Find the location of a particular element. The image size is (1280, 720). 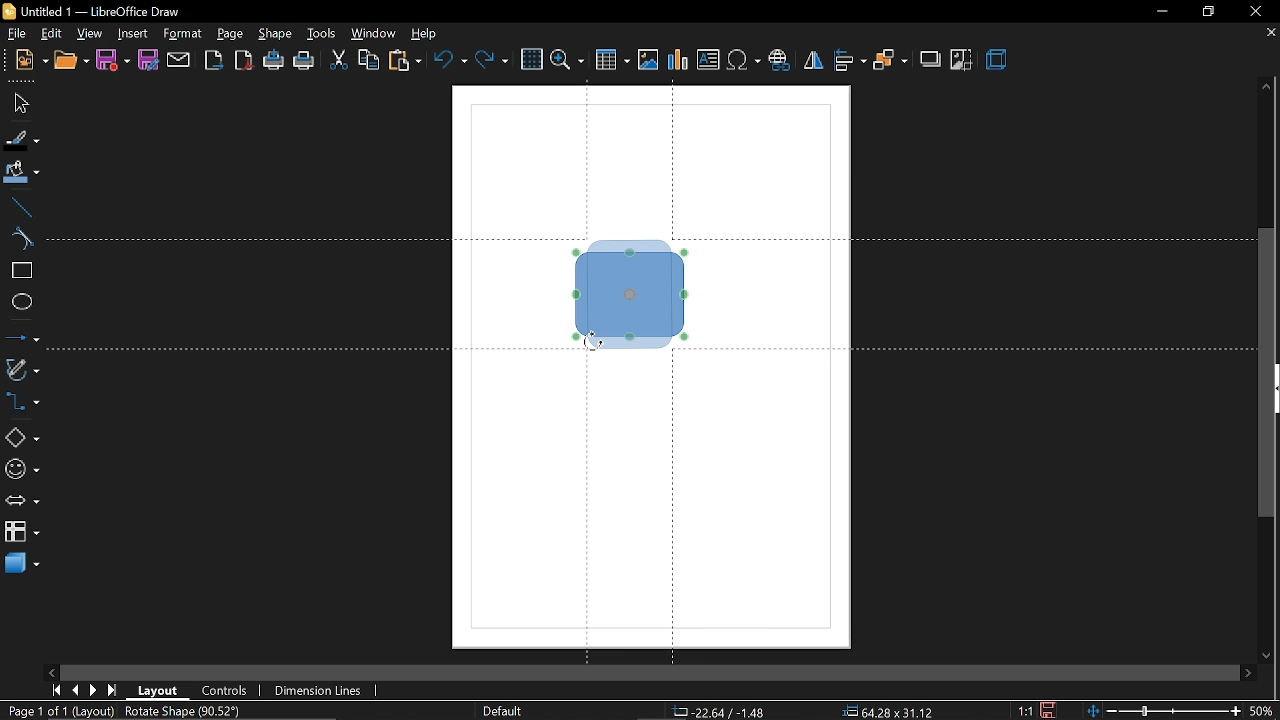

ellipse is located at coordinates (20, 304).